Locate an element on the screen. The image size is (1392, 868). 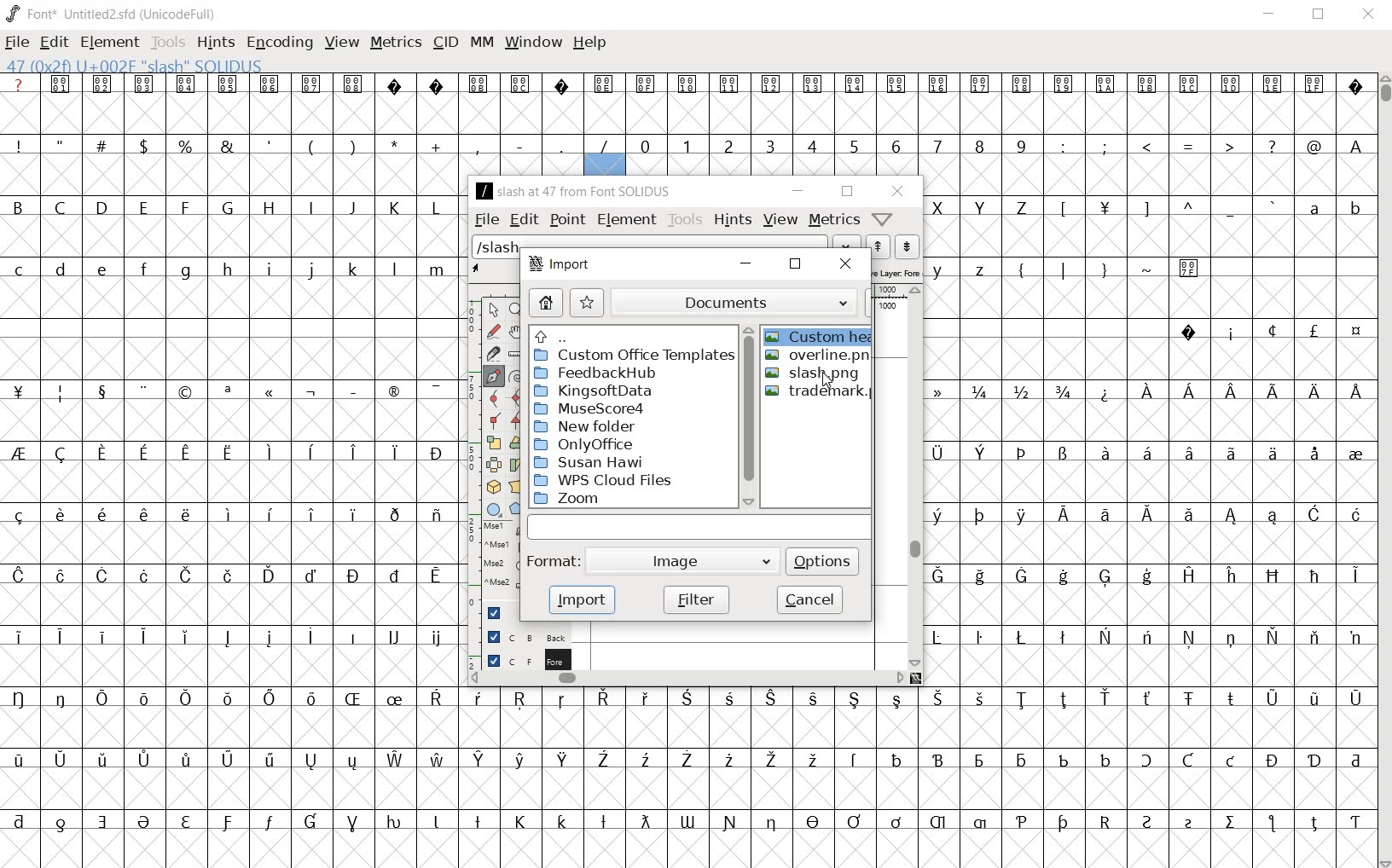
slash.png is located at coordinates (814, 373).